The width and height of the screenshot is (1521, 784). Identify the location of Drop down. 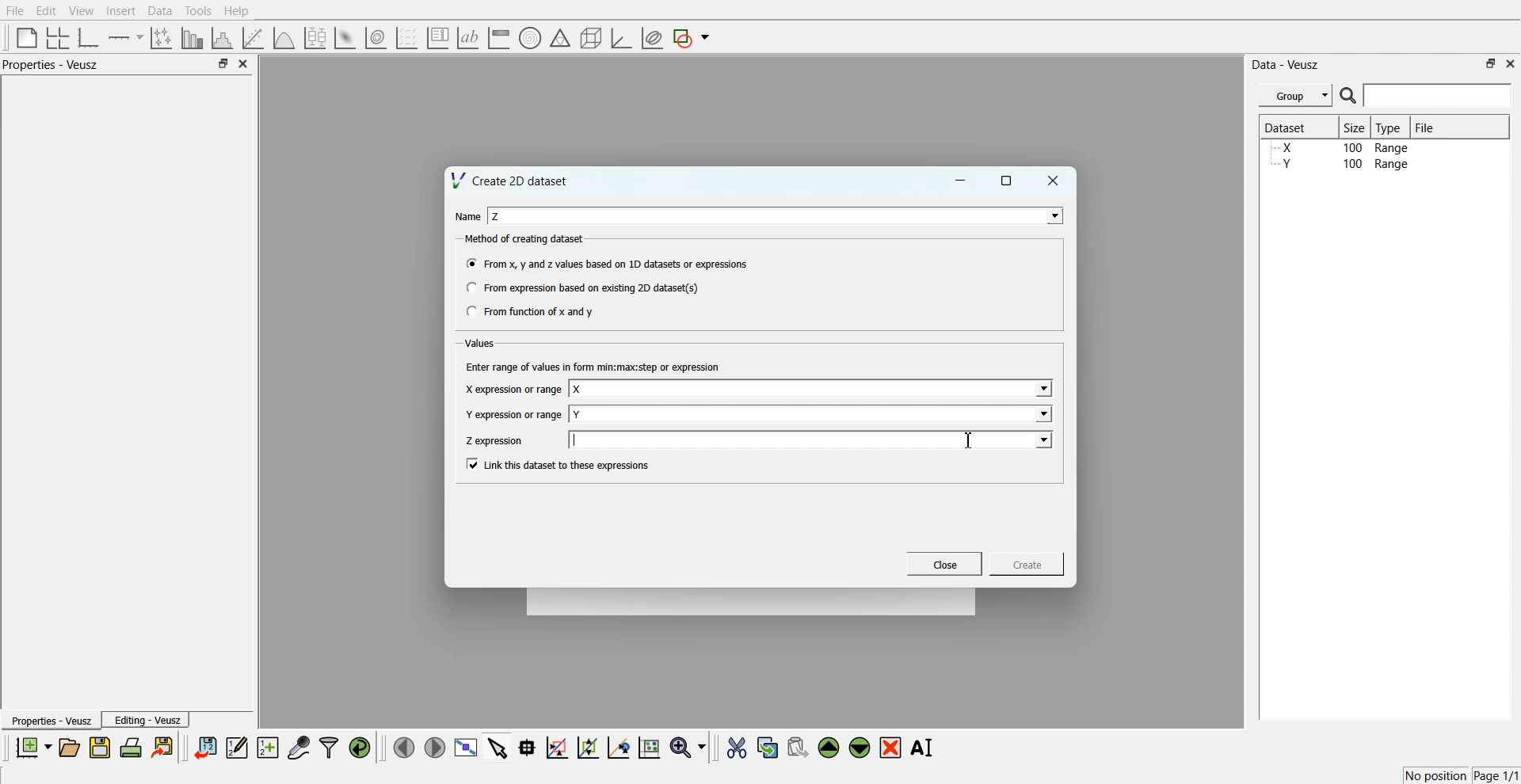
(1042, 413).